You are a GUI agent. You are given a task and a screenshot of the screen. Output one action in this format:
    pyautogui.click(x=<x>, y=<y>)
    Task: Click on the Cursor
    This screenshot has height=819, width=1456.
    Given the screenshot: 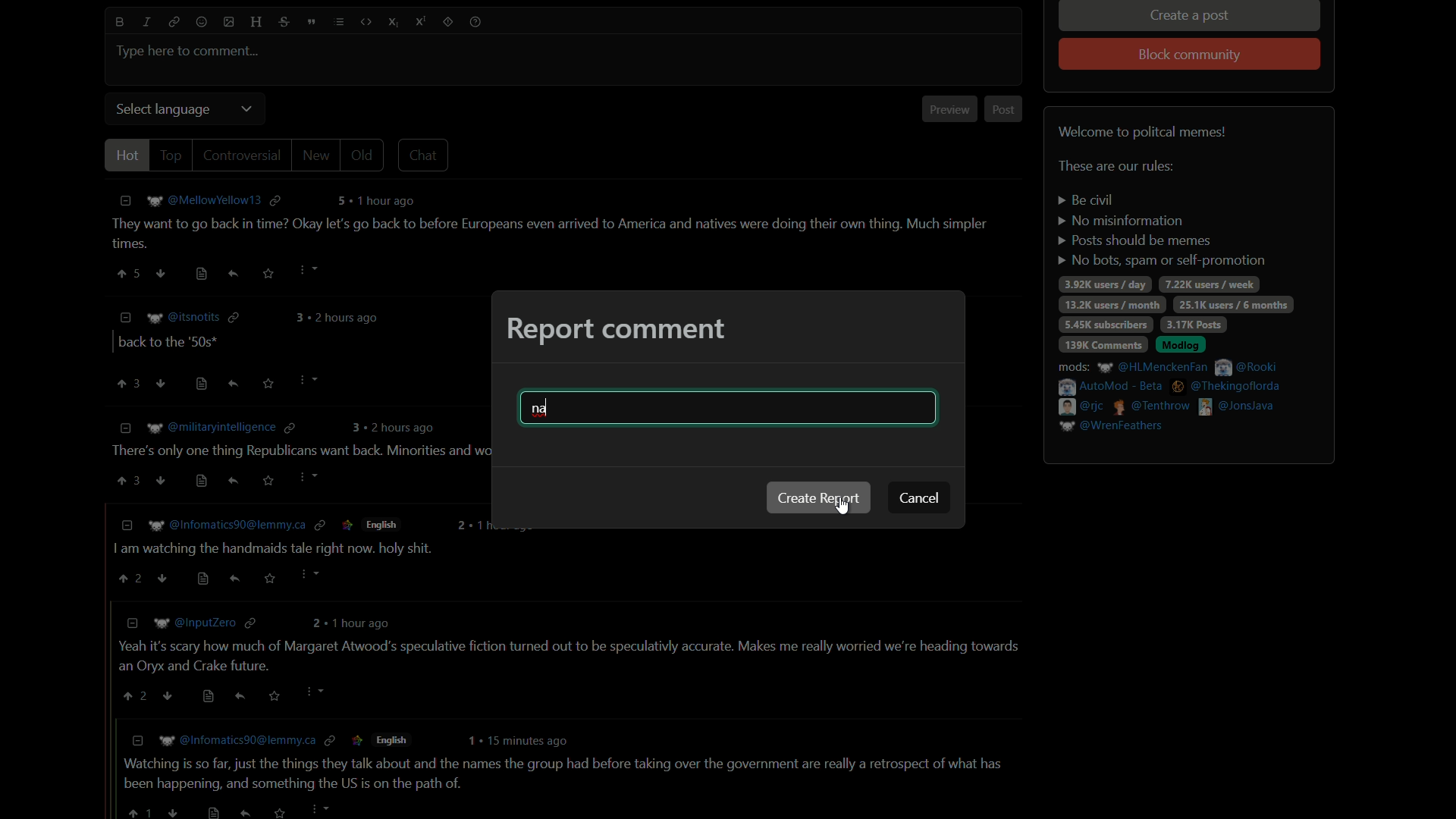 What is the action you would take?
    pyautogui.click(x=306, y=388)
    